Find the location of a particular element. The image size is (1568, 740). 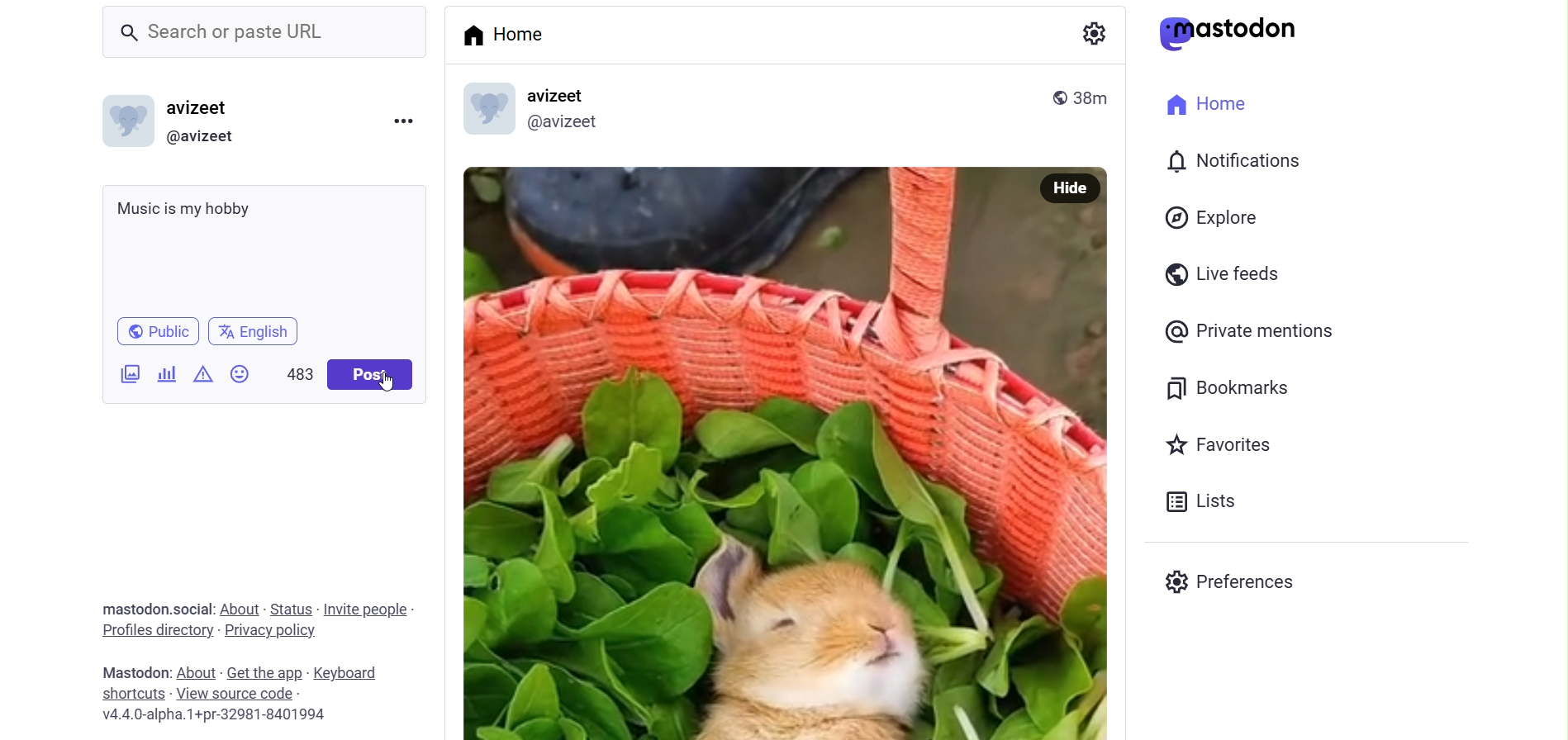

Privacy policy is located at coordinates (276, 630).